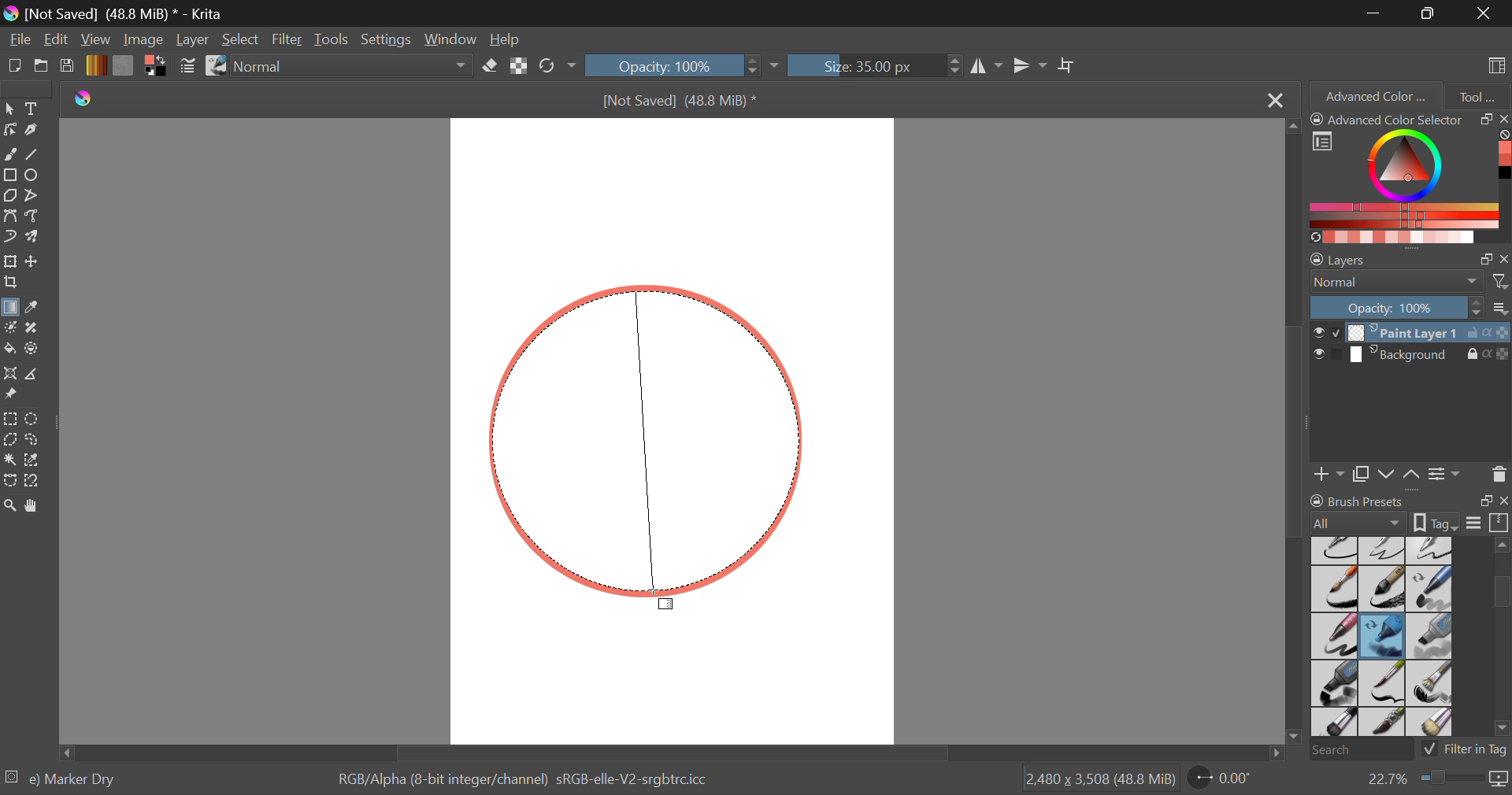 The height and width of the screenshot is (795, 1512). Describe the element at coordinates (9, 418) in the screenshot. I see `Rectangle Selection Tool` at that location.